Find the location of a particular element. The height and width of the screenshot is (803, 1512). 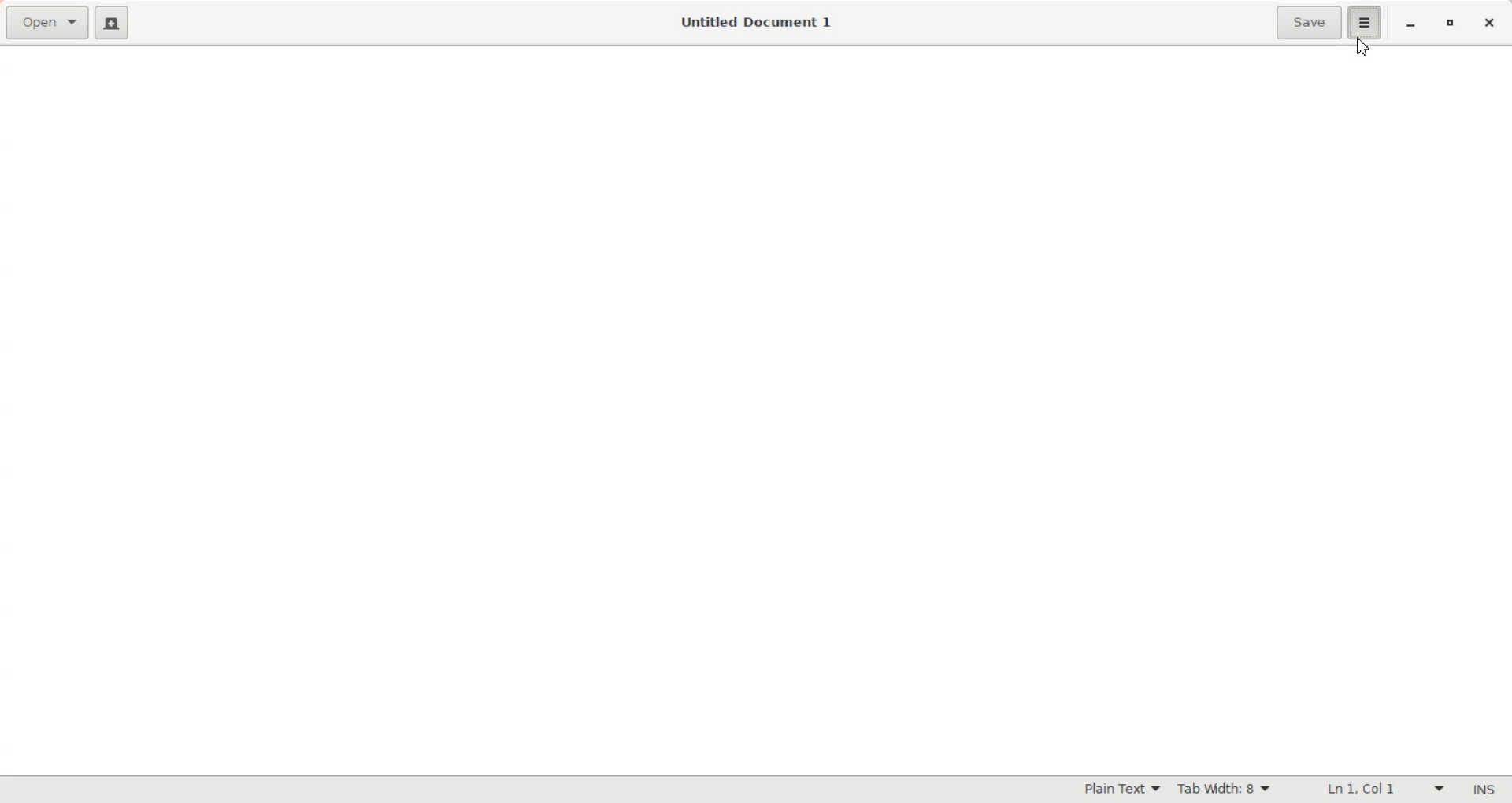

Save is located at coordinates (1307, 23).